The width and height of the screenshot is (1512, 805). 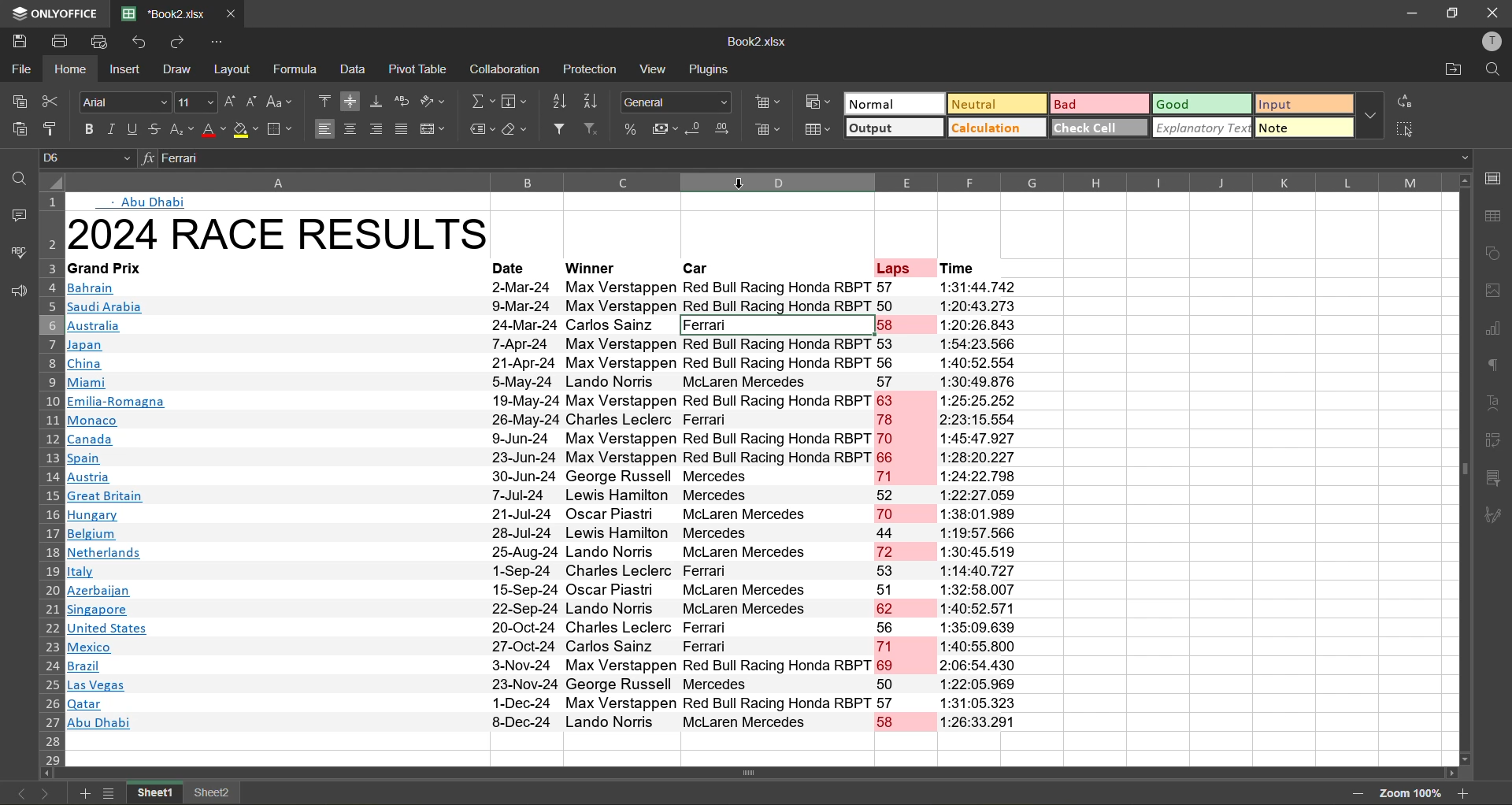 What do you see at coordinates (283, 236) in the screenshot?
I see `2024 RACE RESULTS` at bounding box center [283, 236].